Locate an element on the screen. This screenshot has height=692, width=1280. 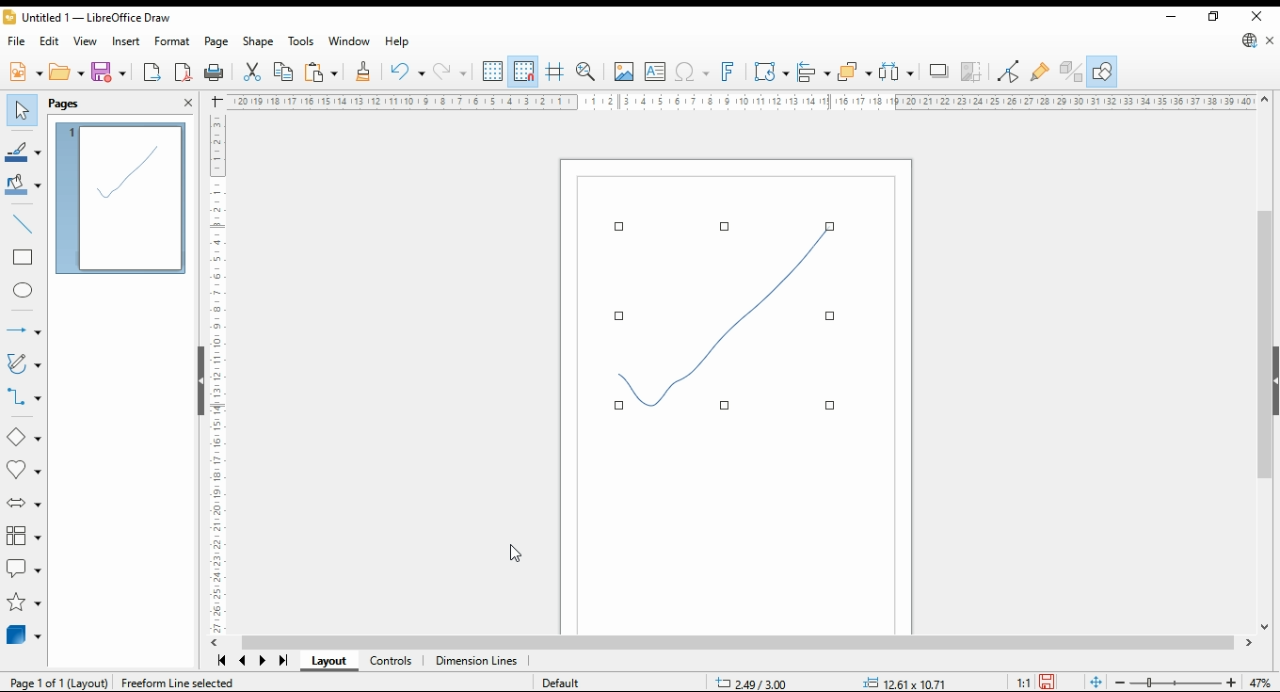
view is located at coordinates (87, 40).